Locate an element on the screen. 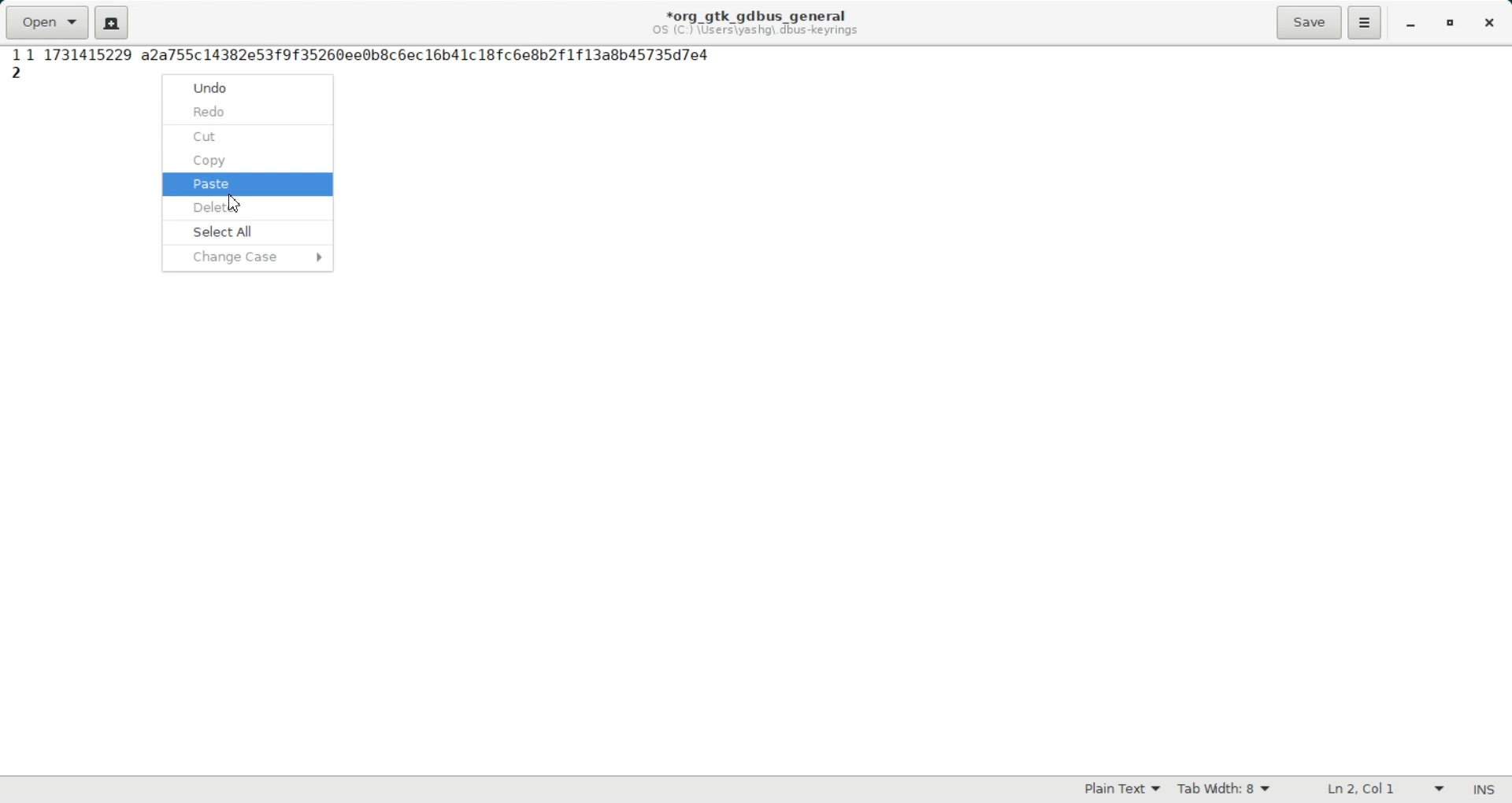 The height and width of the screenshot is (803, 1512). Open a file is located at coordinates (46, 22).